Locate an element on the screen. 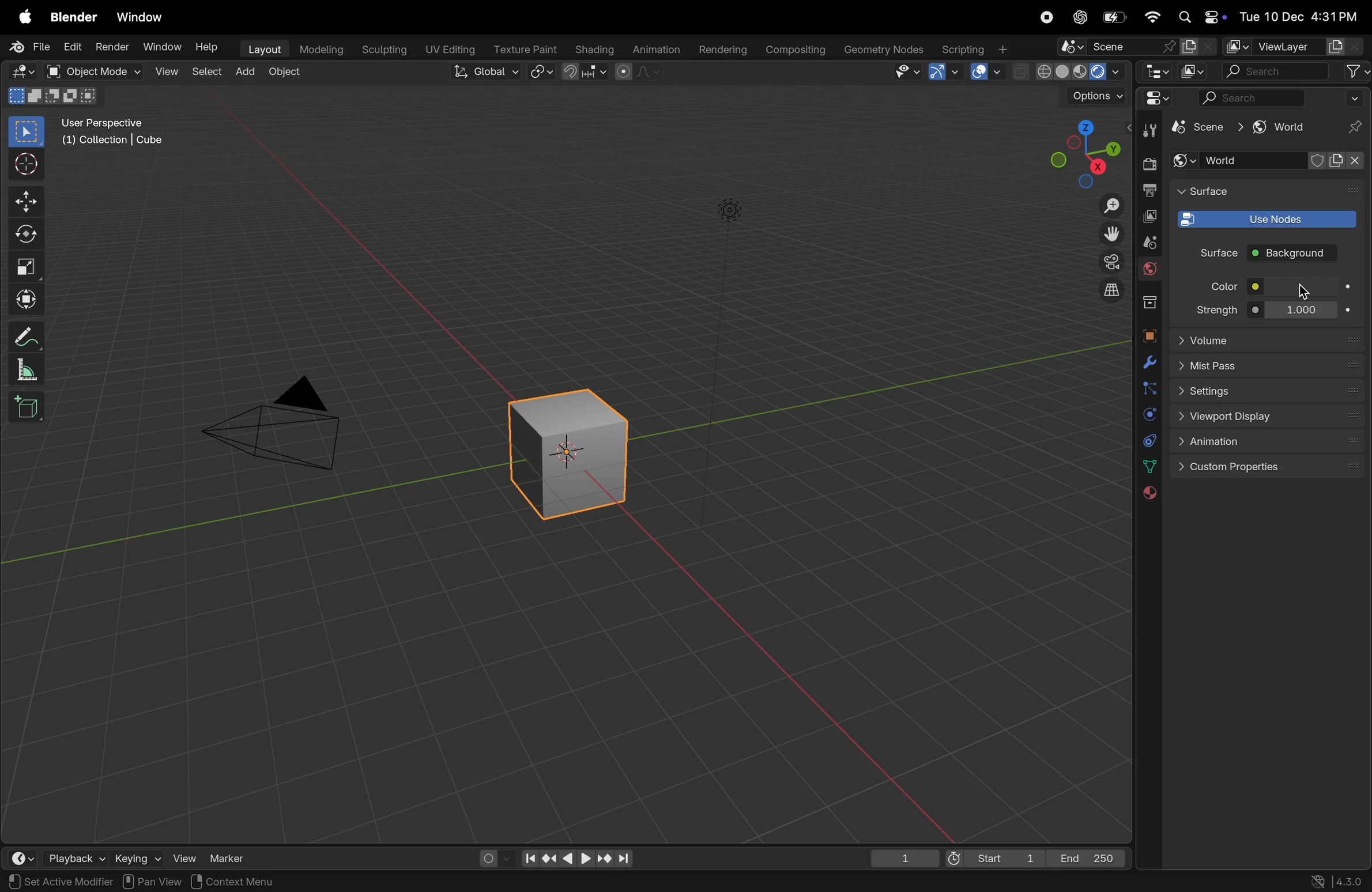 The width and height of the screenshot is (1372, 892). World is located at coordinates (1149, 271).